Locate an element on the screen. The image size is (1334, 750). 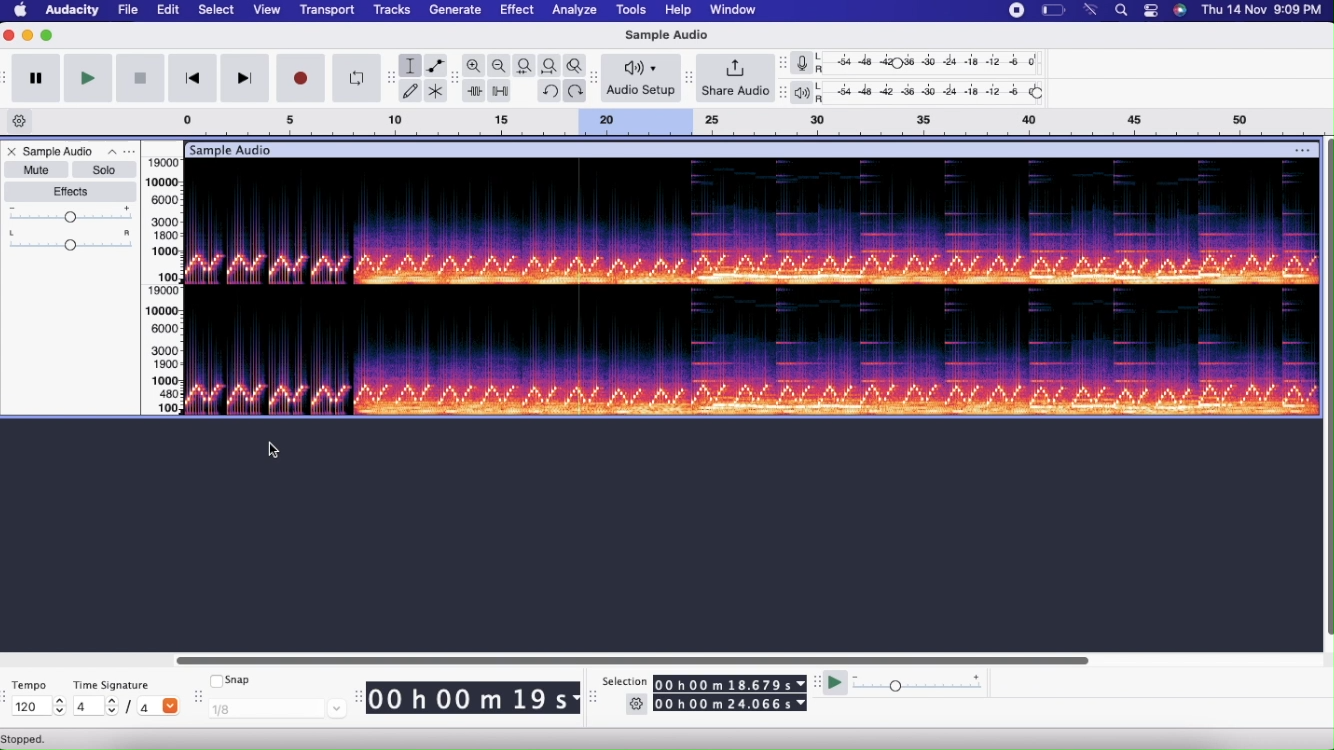
Record is located at coordinates (301, 77).